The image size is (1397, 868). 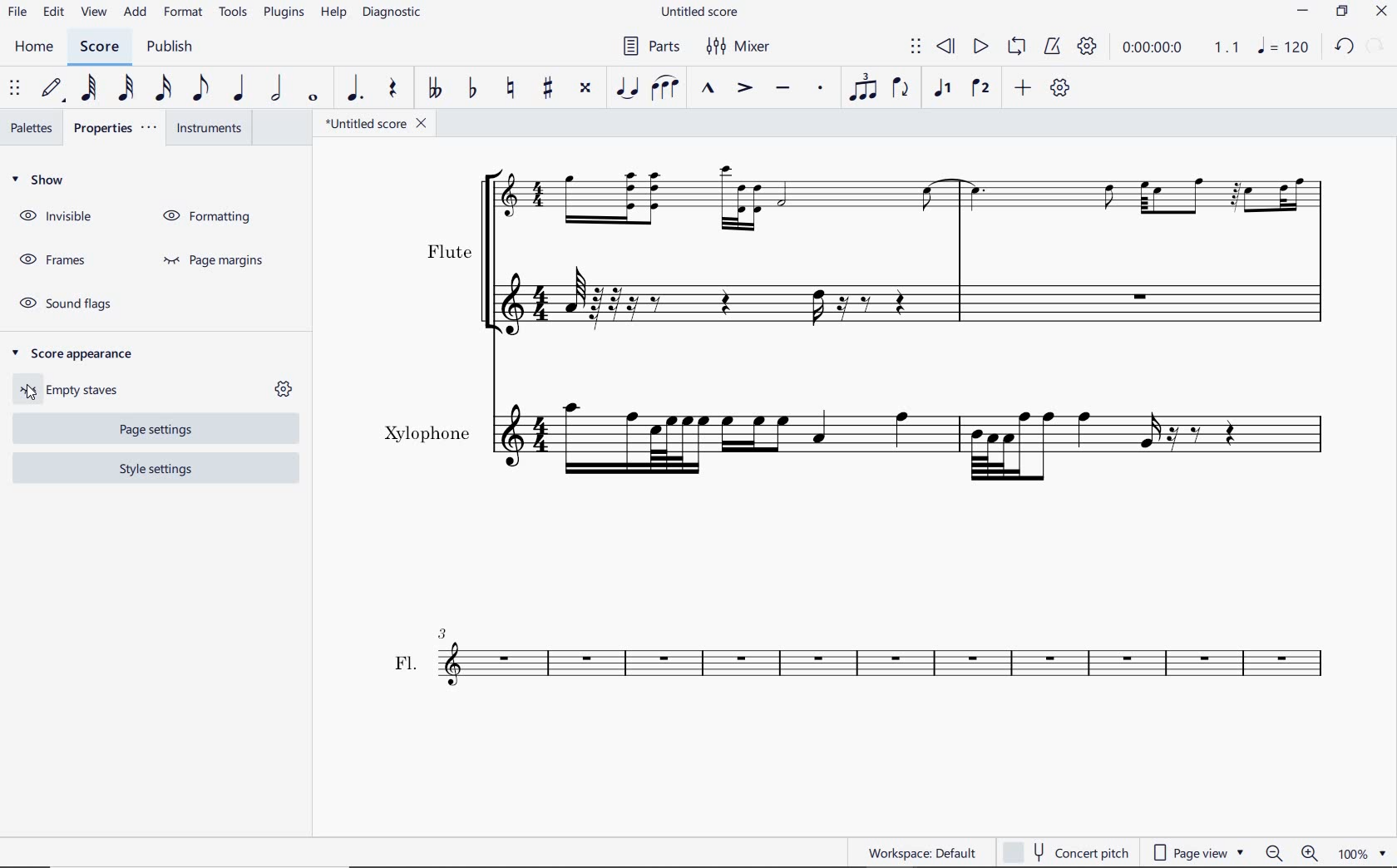 I want to click on RESTORE DOWN, so click(x=1345, y=12).